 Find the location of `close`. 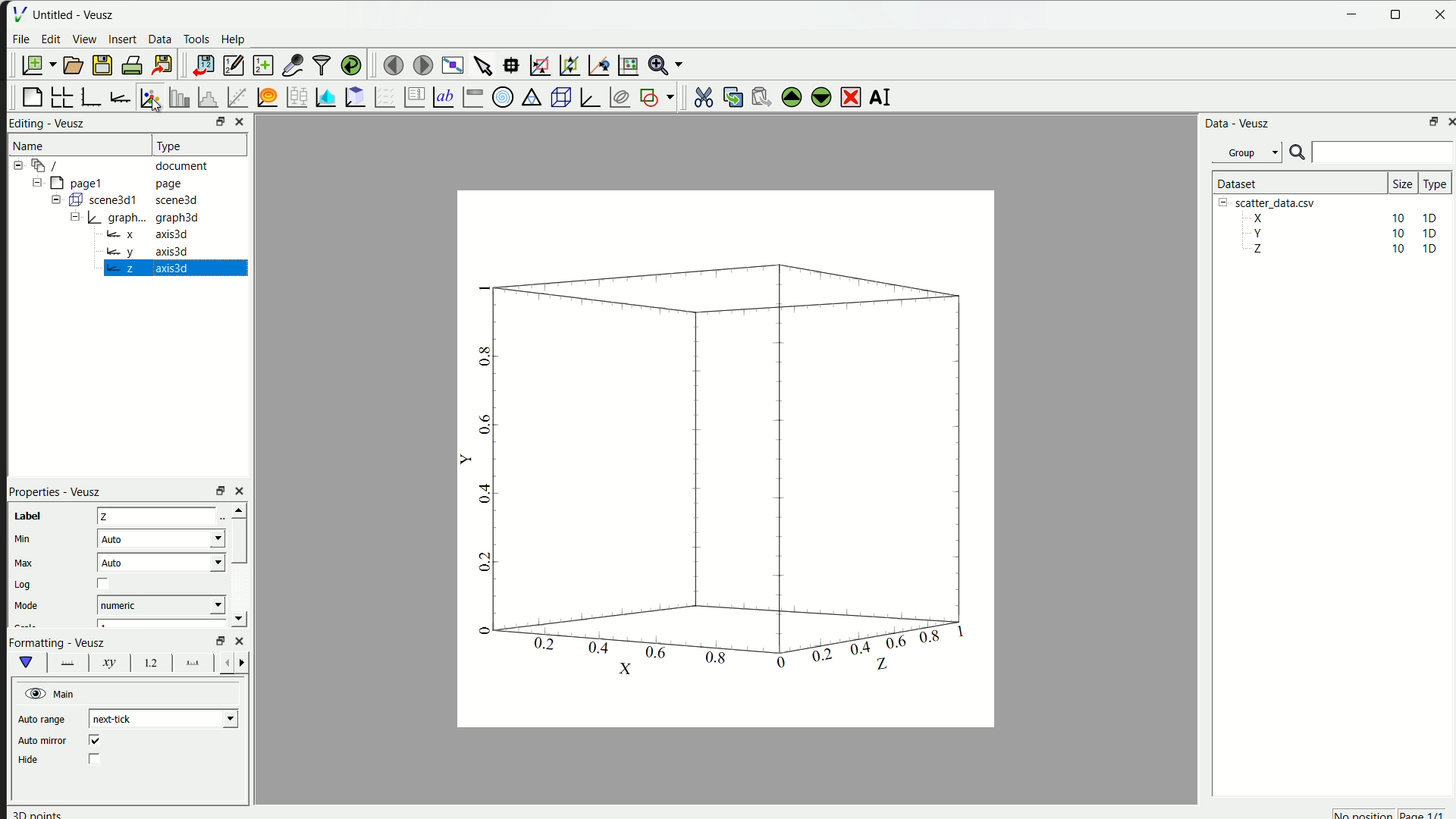

close is located at coordinates (237, 122).